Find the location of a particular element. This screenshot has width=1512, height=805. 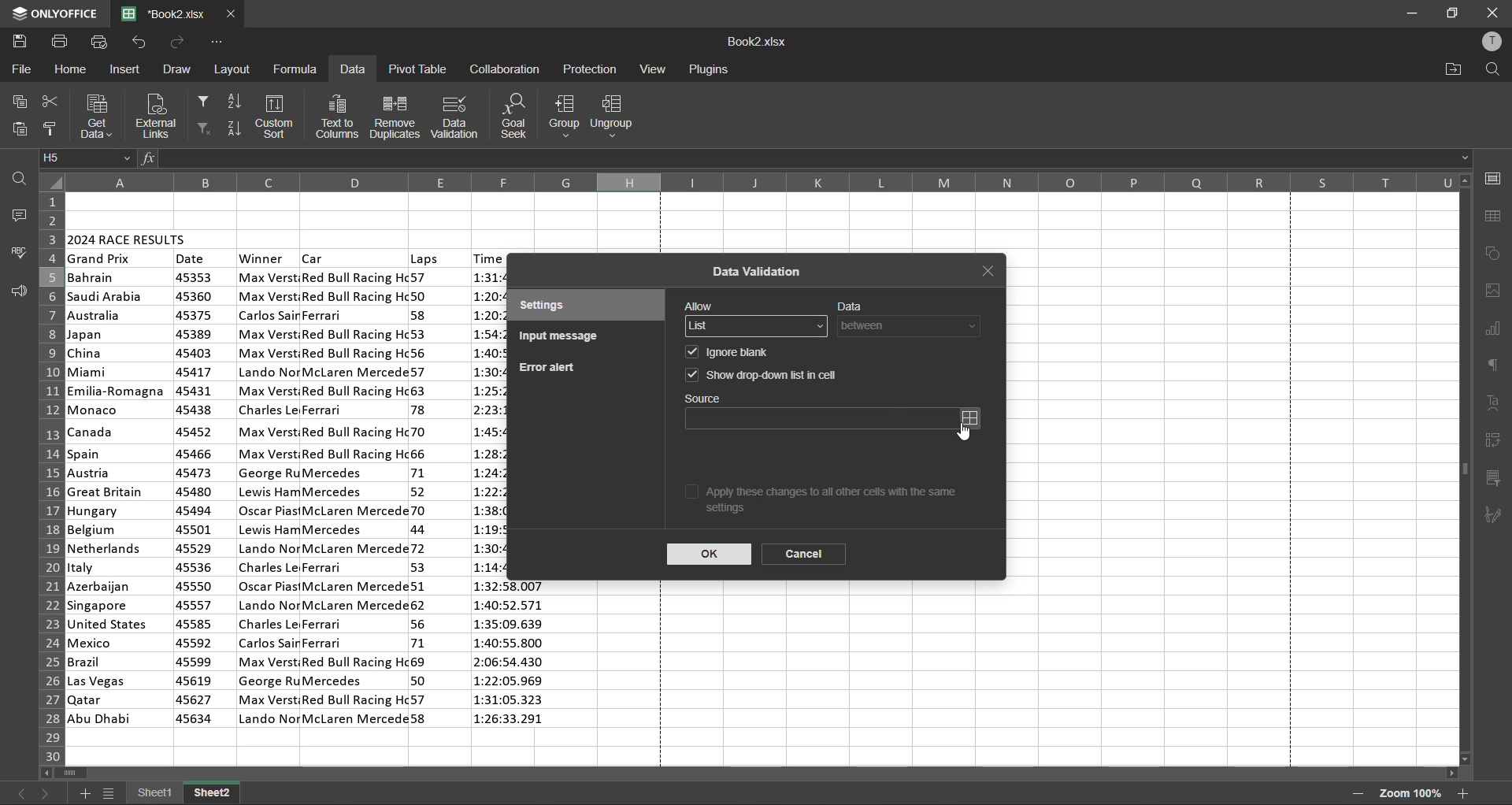

time is located at coordinates (513, 657).